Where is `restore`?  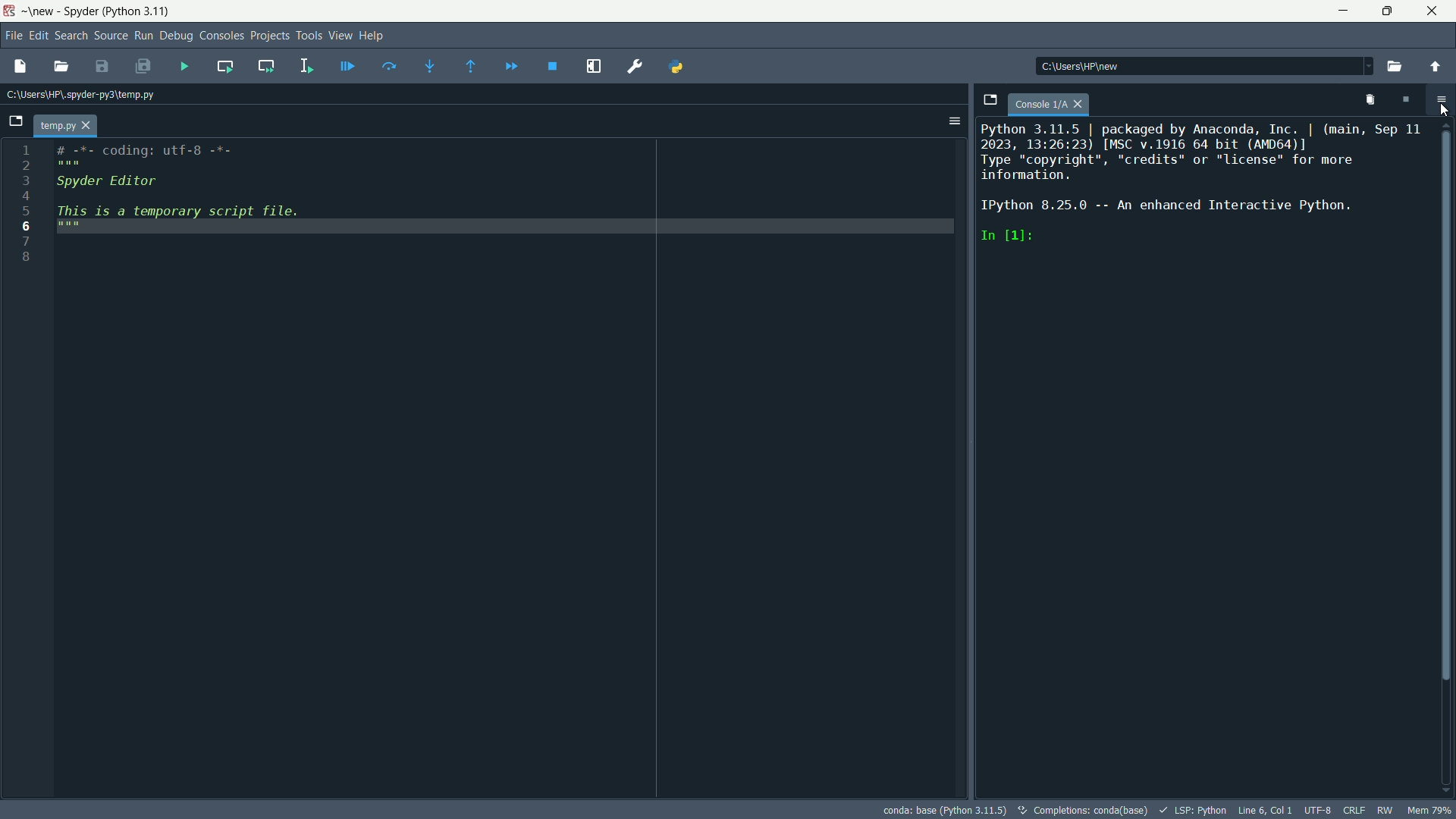 restore is located at coordinates (1387, 11).